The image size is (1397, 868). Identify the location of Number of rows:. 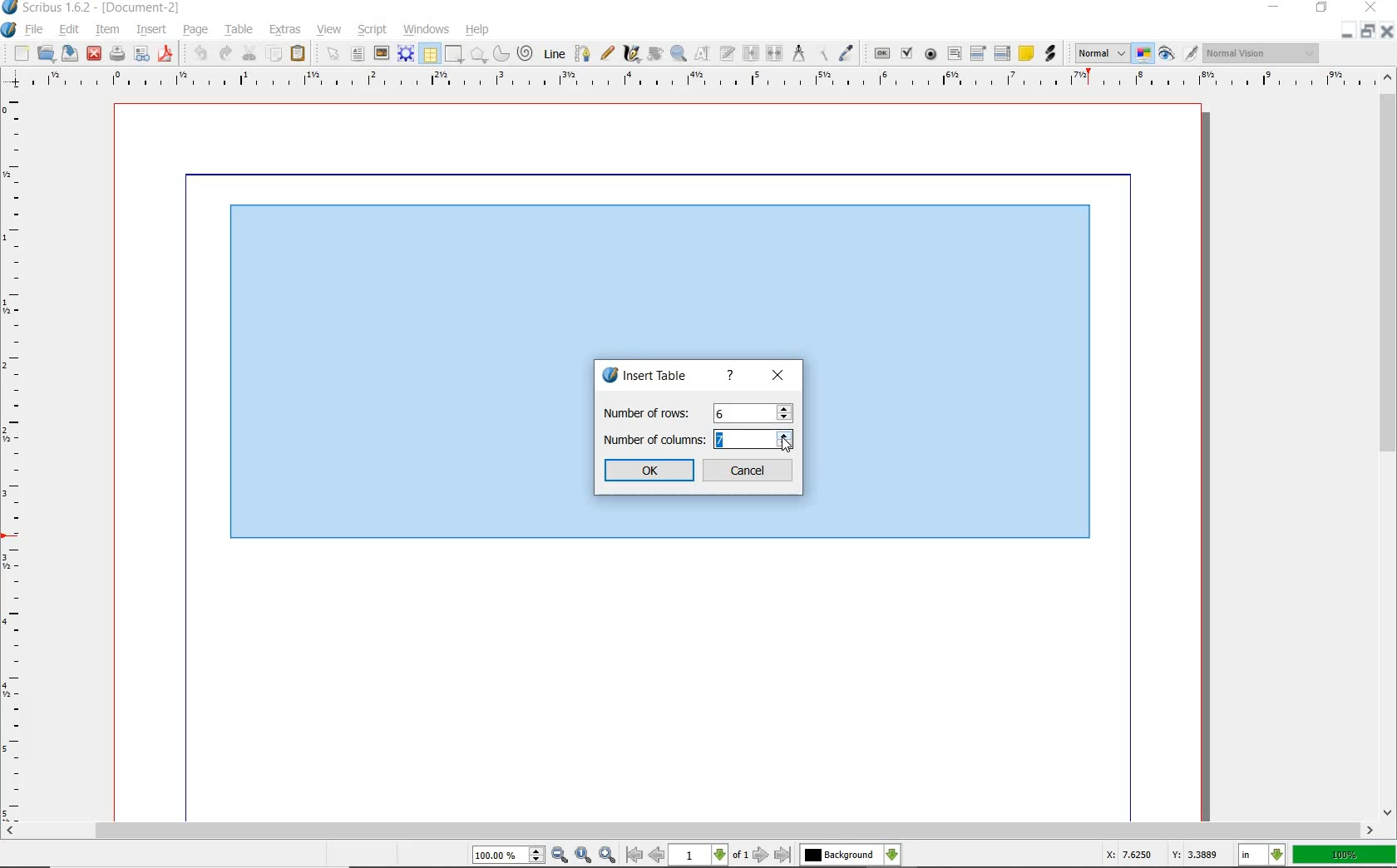
(654, 412).